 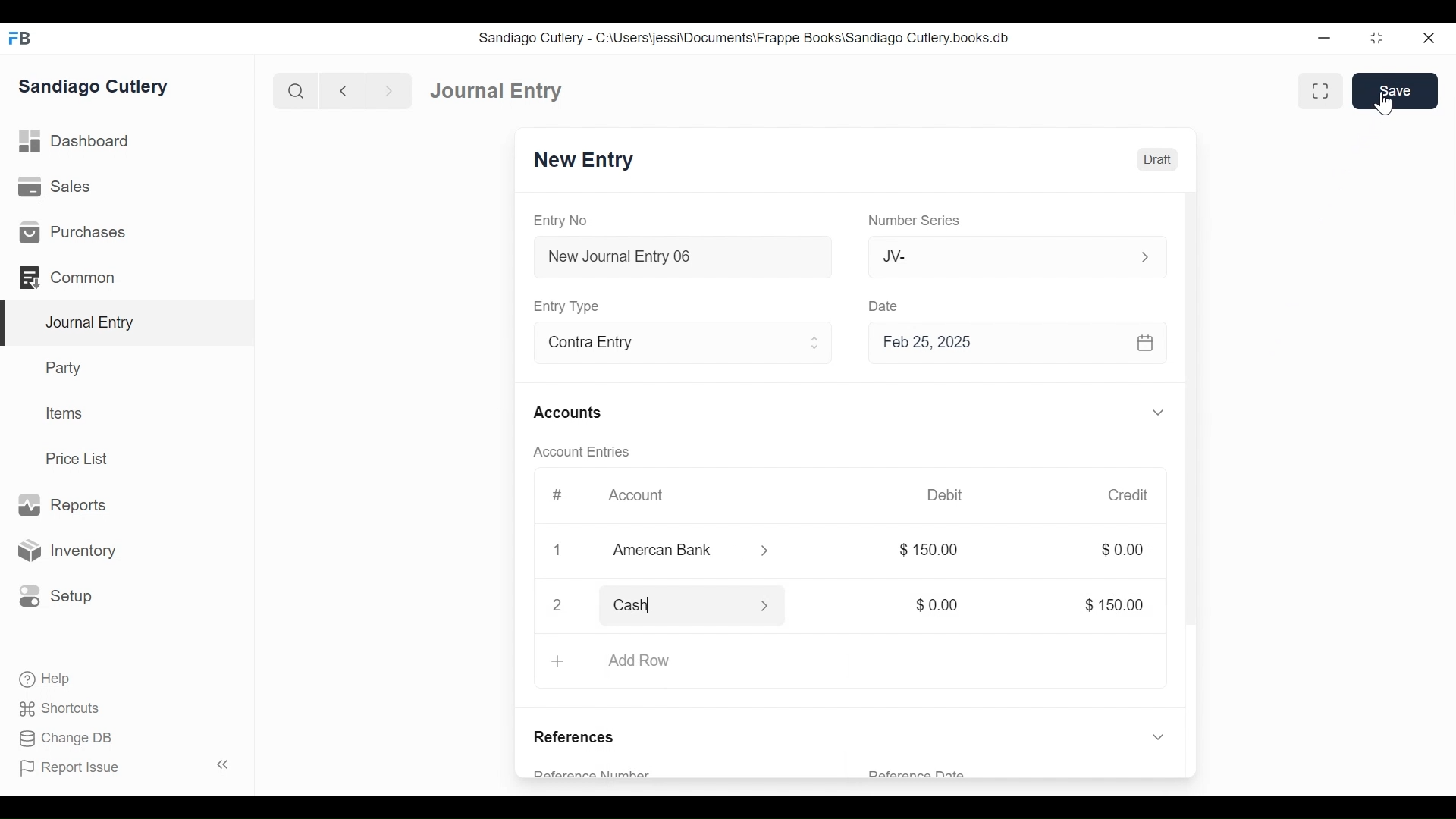 What do you see at coordinates (61, 506) in the screenshot?
I see `Reports` at bounding box center [61, 506].